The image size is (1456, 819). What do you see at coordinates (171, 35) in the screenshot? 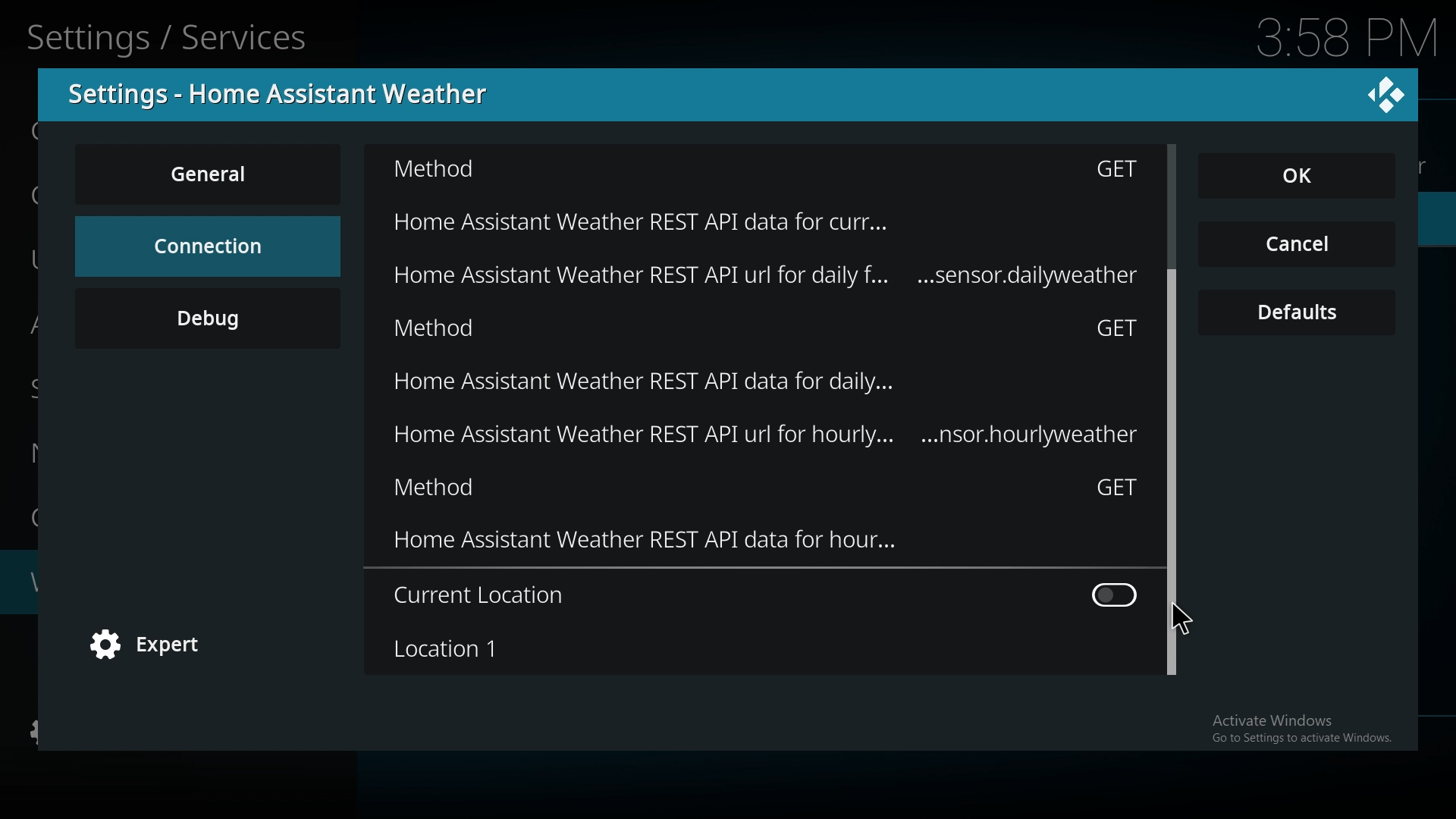
I see `Settings/Services` at bounding box center [171, 35].